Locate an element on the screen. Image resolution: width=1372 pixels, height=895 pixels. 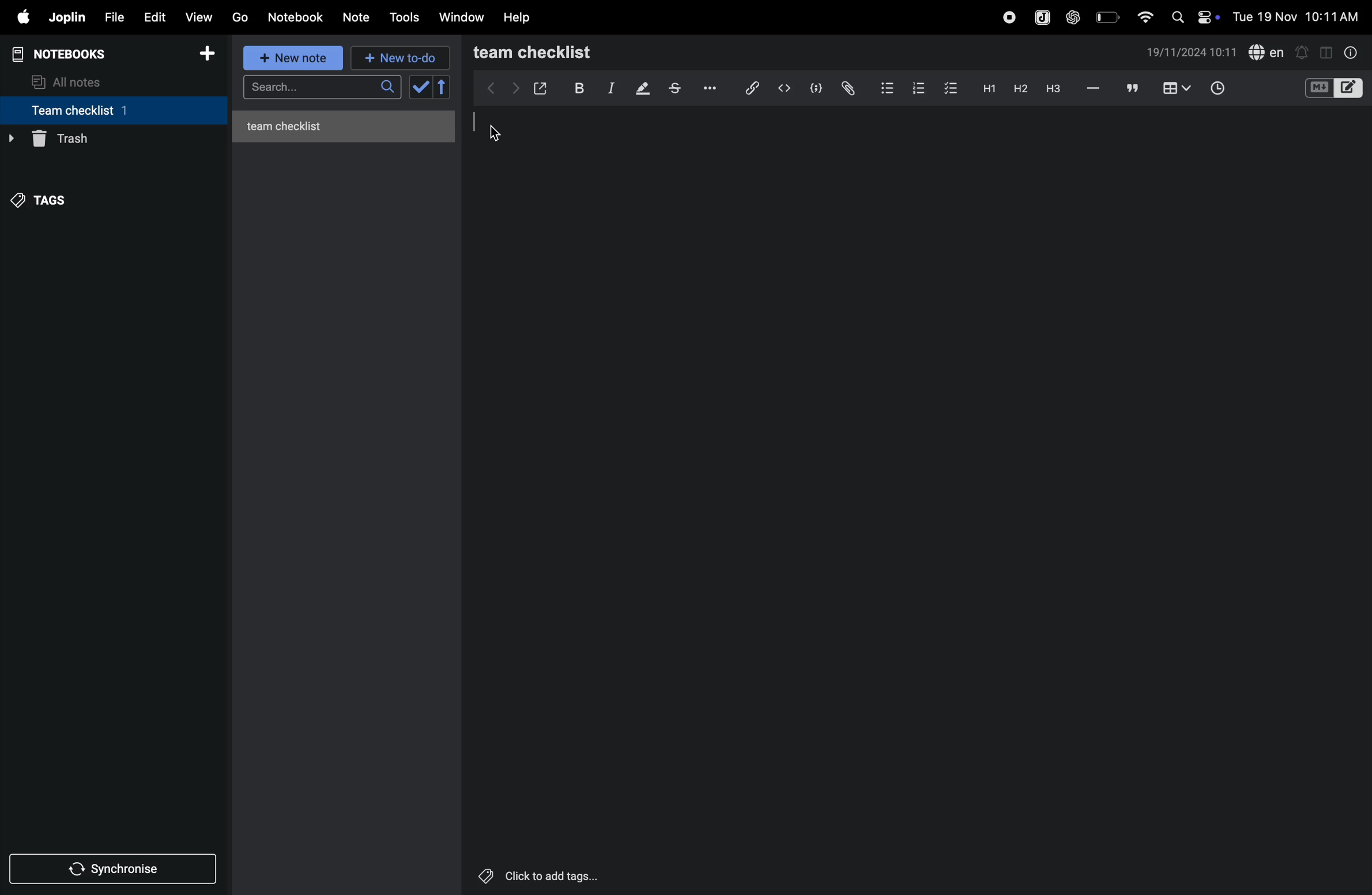
on/off is located at coordinates (1211, 17).